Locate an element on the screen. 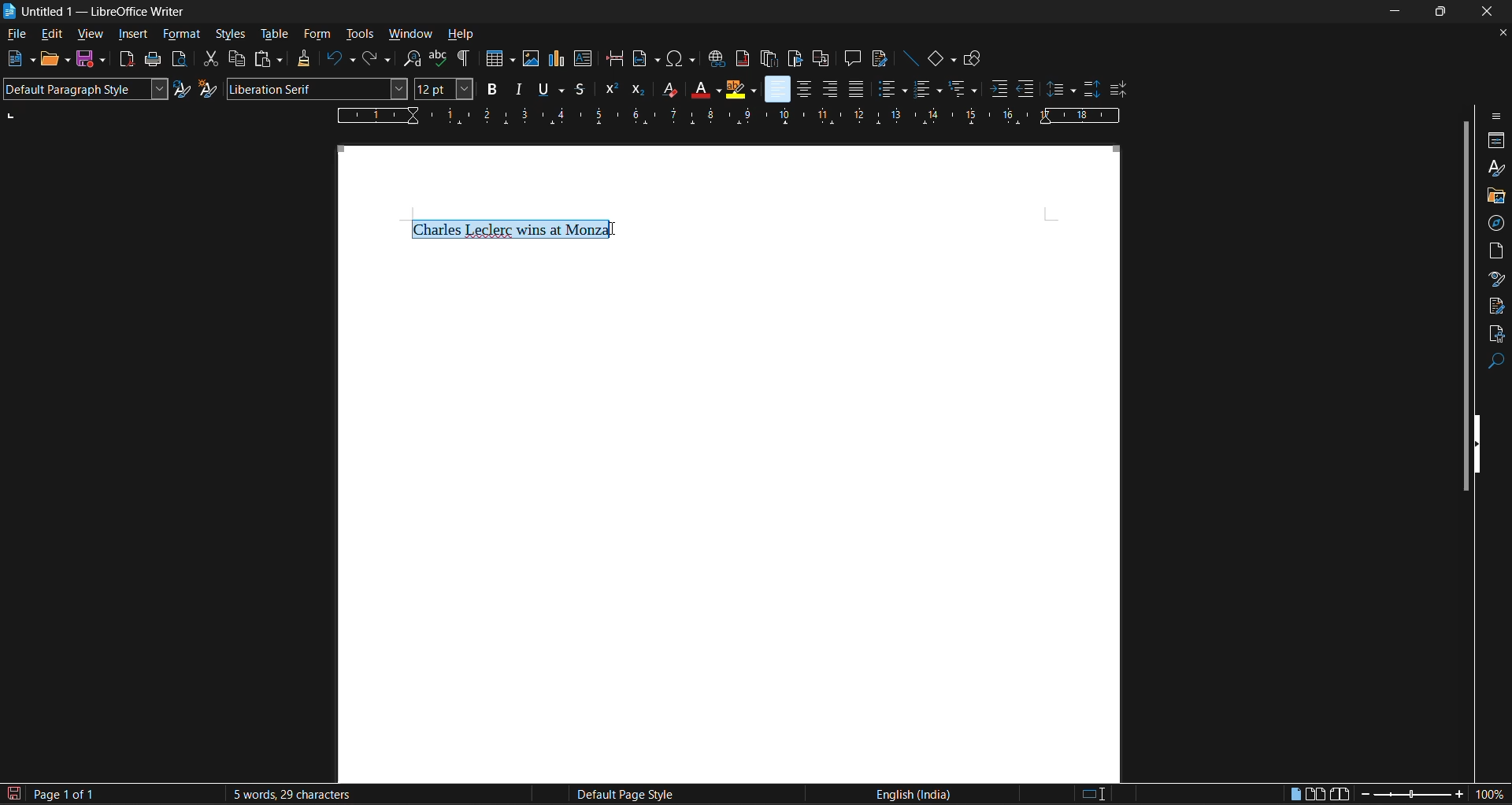  basic shapes is located at coordinates (939, 61).